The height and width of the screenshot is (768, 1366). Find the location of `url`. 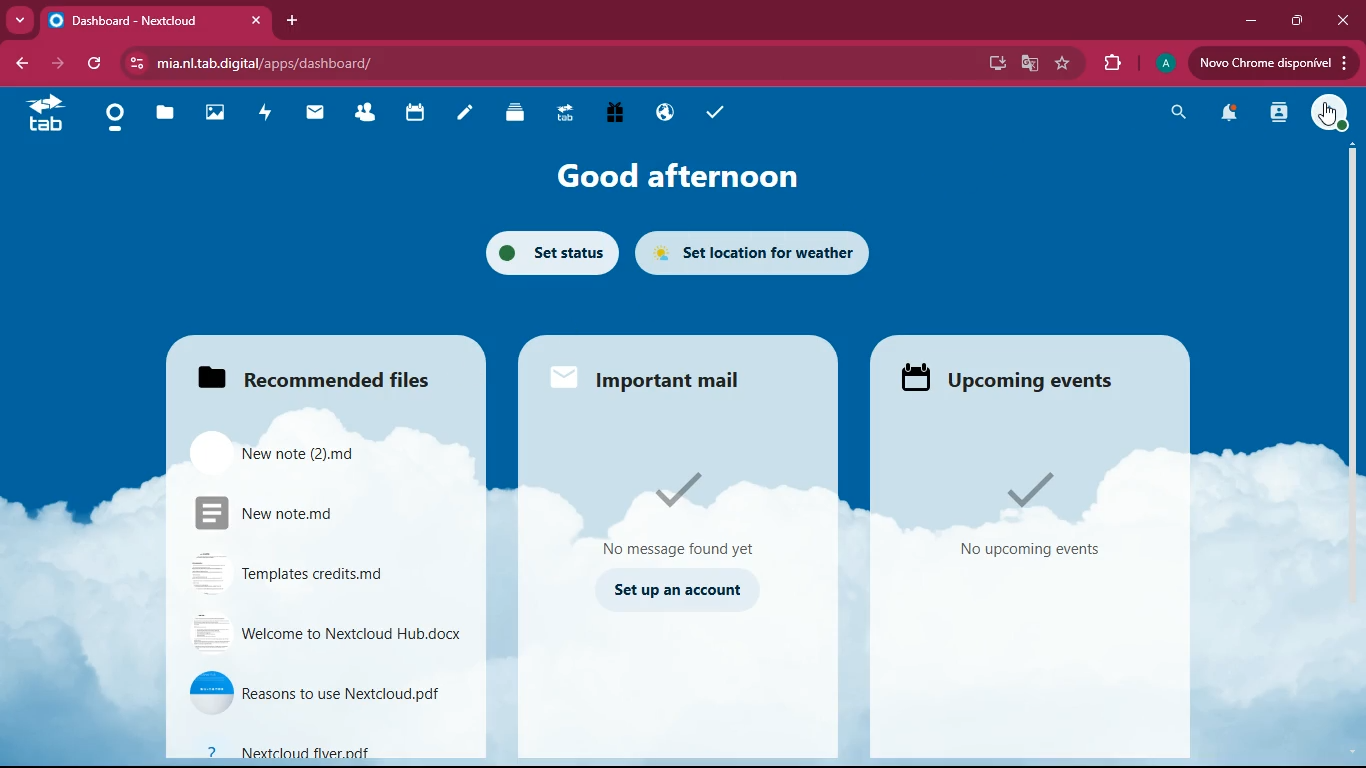

url is located at coordinates (255, 63).